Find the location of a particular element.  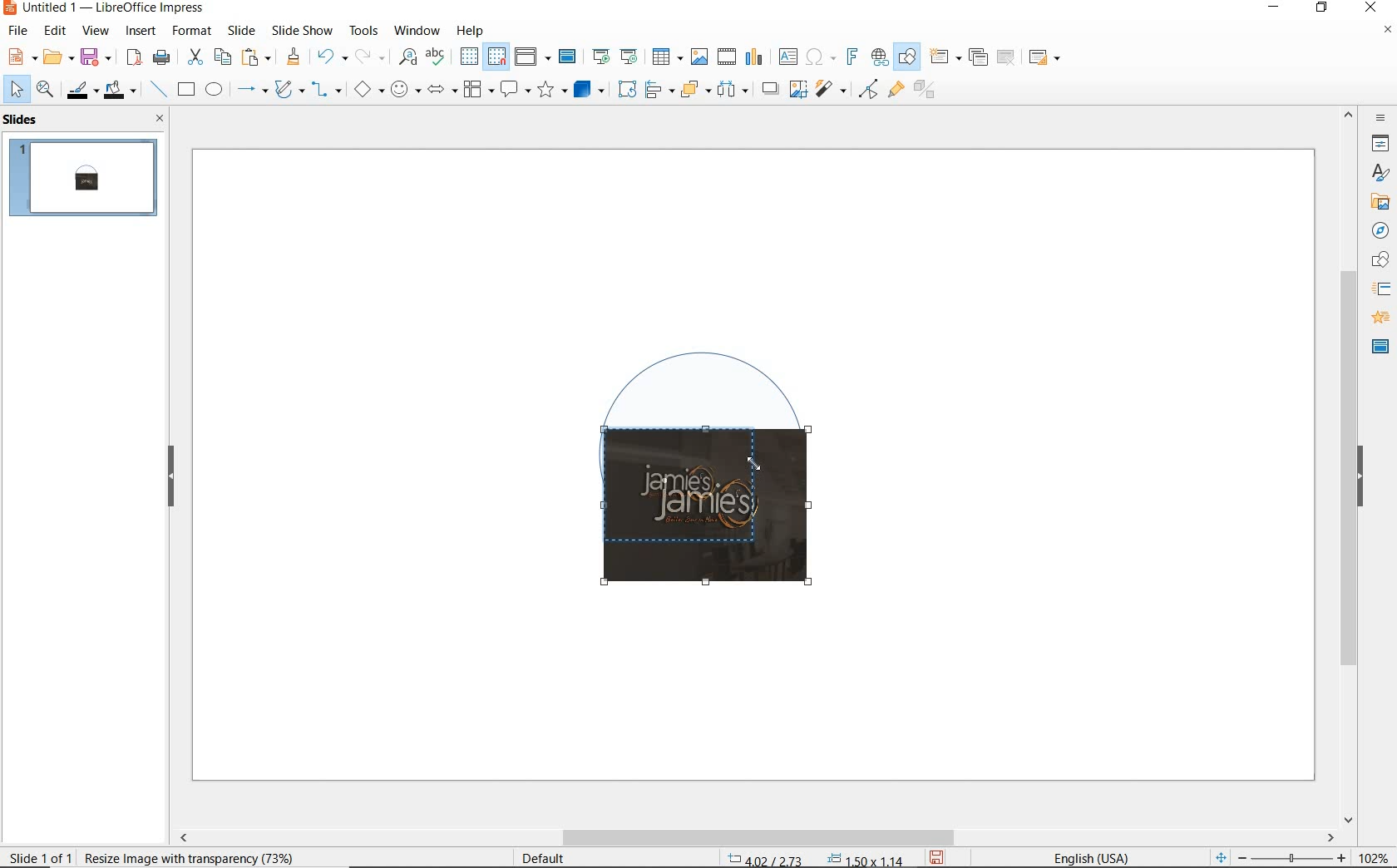

curves & polygons is located at coordinates (289, 90).